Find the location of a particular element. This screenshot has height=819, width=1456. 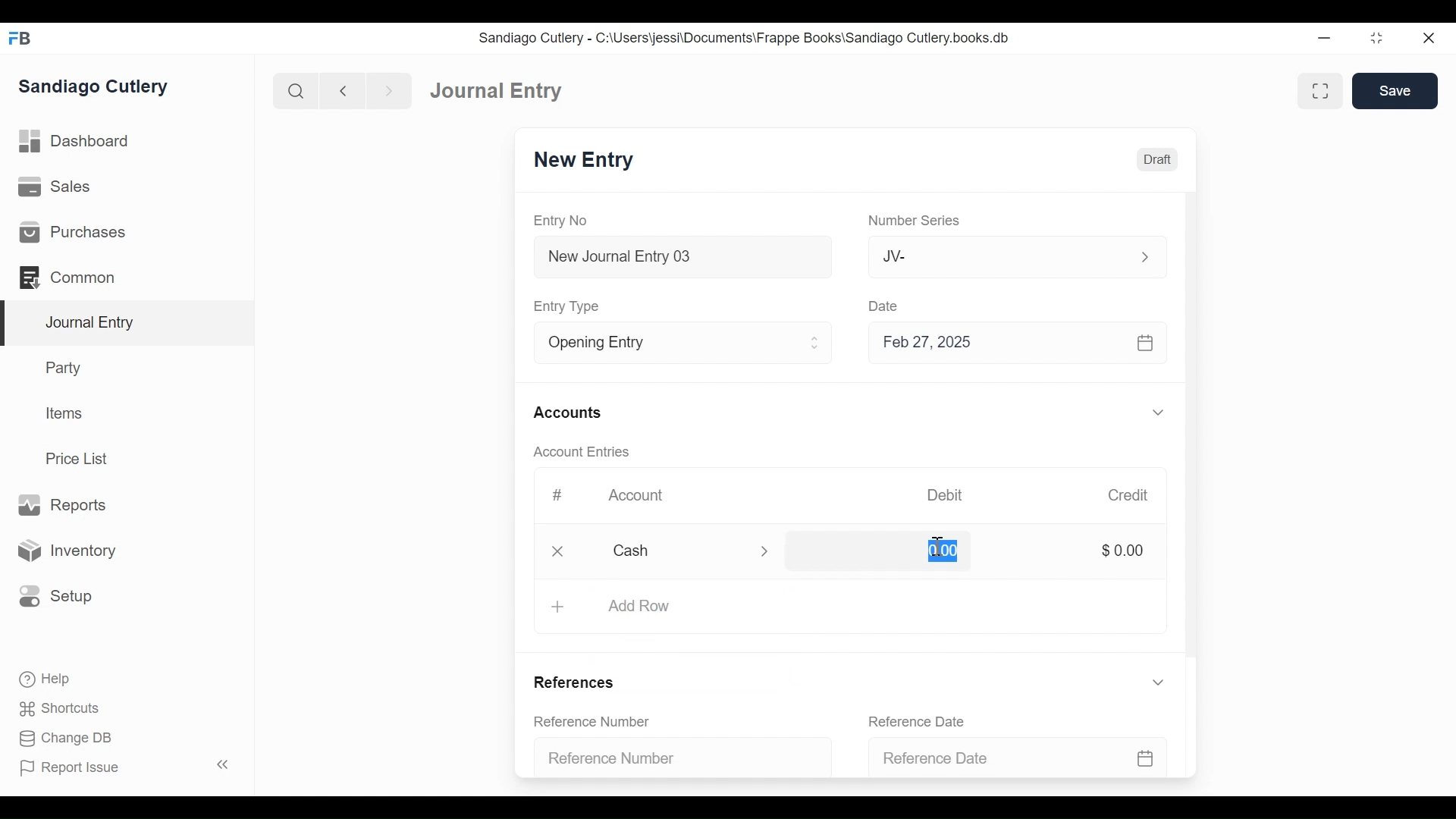

Reports is located at coordinates (67, 505).